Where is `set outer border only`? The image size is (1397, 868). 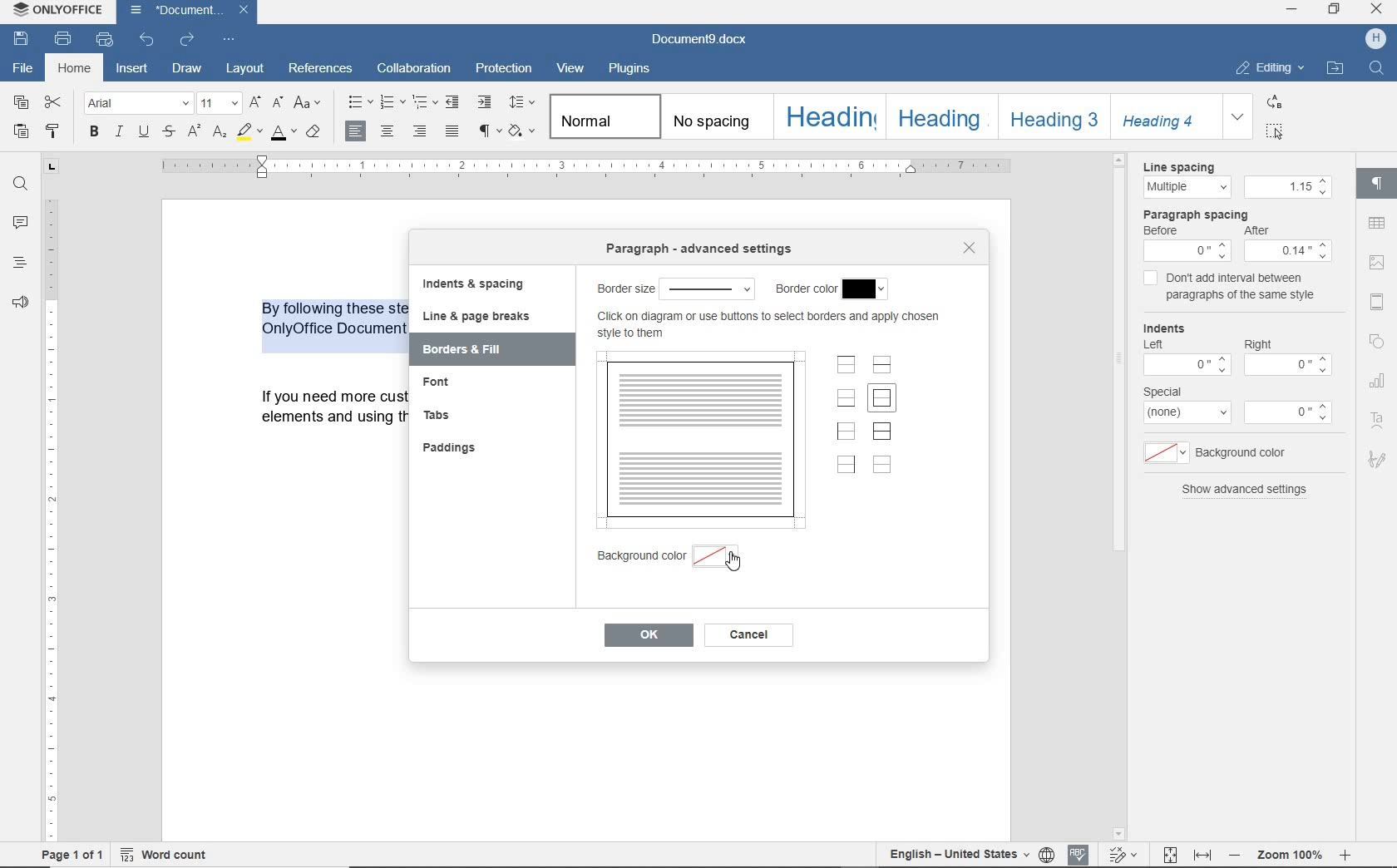 set outer border only is located at coordinates (881, 401).